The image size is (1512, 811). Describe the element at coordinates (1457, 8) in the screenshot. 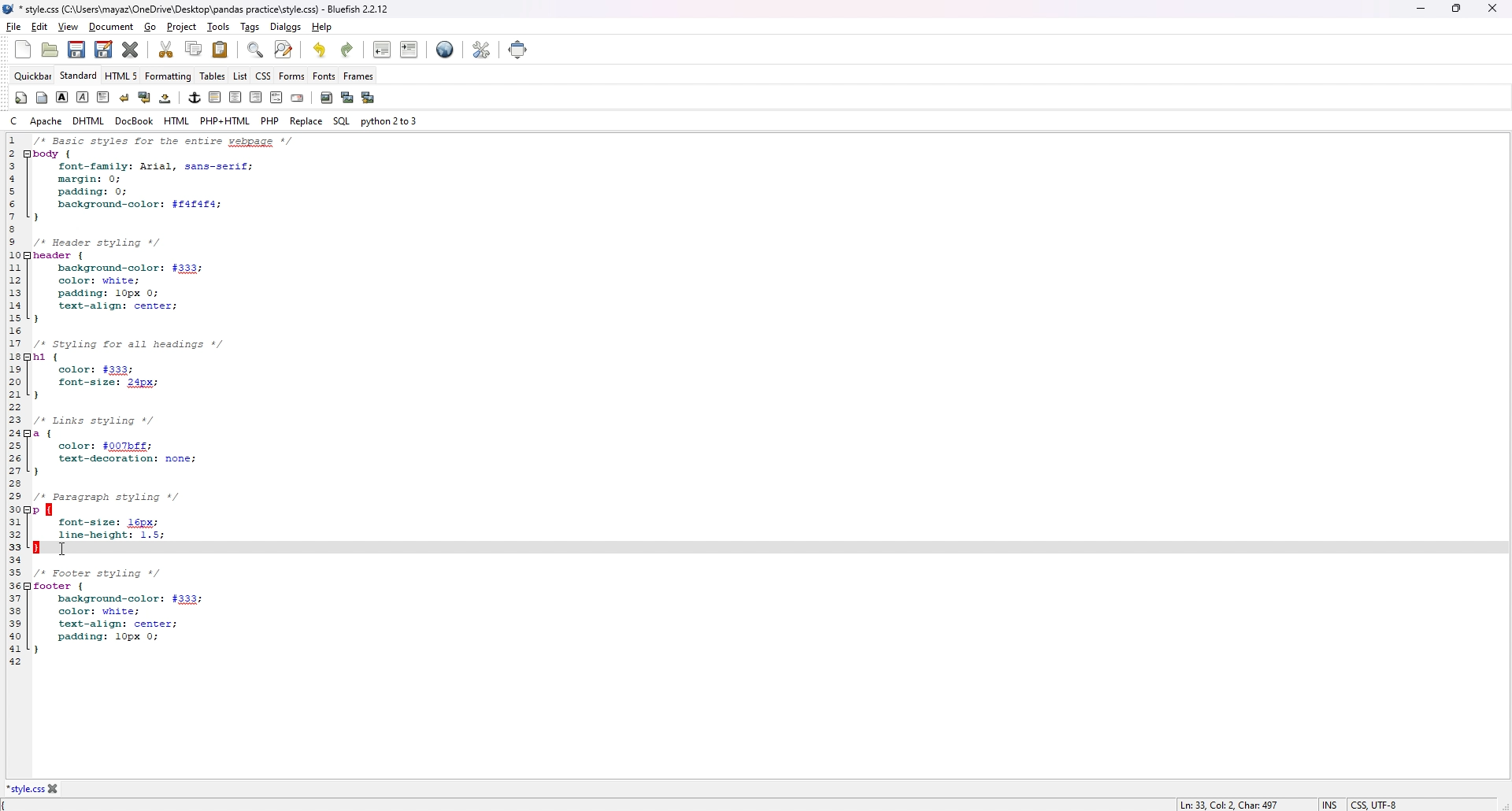

I see `Maximize` at that location.